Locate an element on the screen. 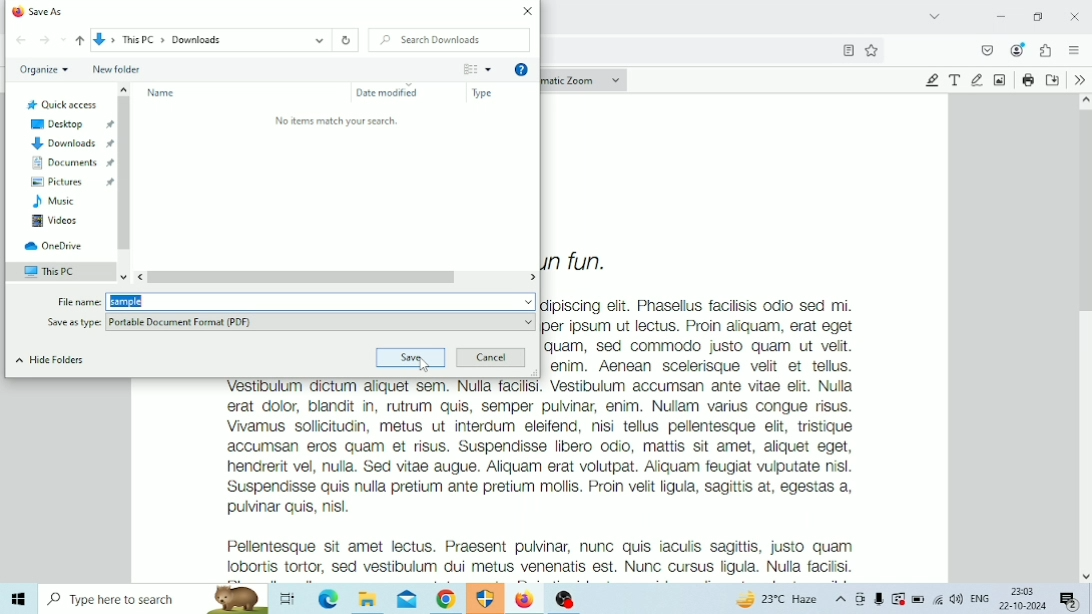  Speakers is located at coordinates (957, 600).